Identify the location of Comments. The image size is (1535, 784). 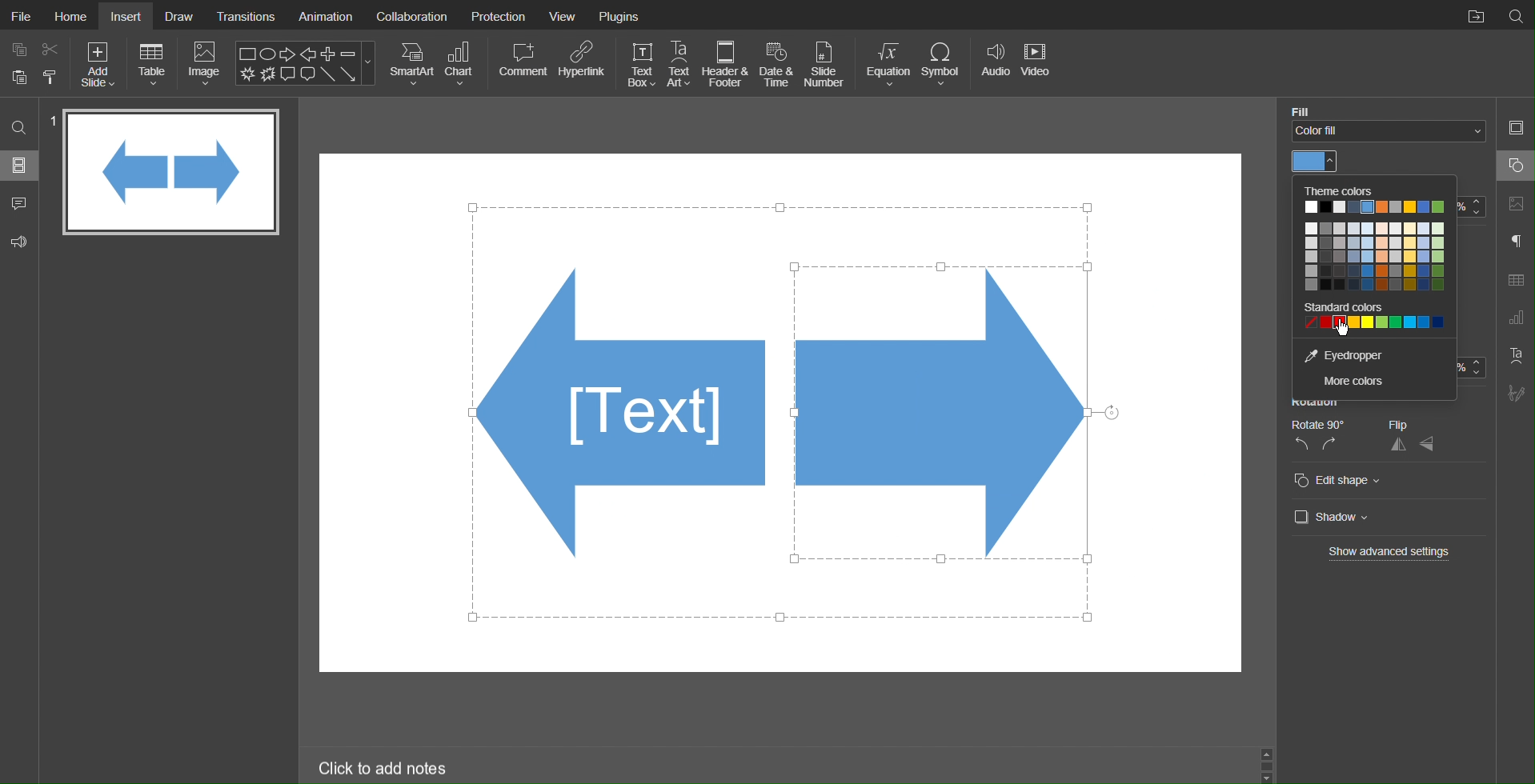
(18, 202).